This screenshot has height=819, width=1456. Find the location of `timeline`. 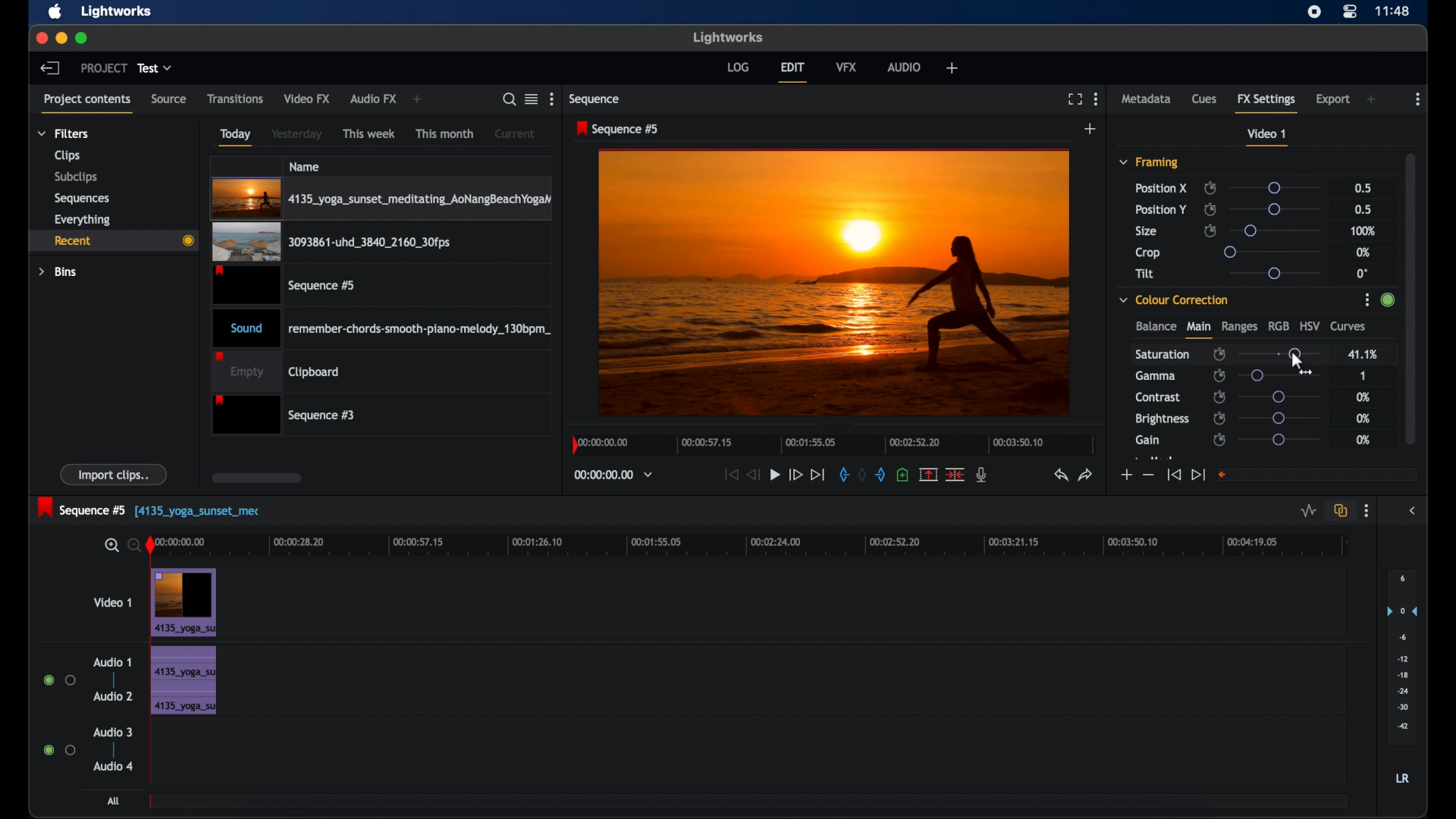

timeline is located at coordinates (830, 448).